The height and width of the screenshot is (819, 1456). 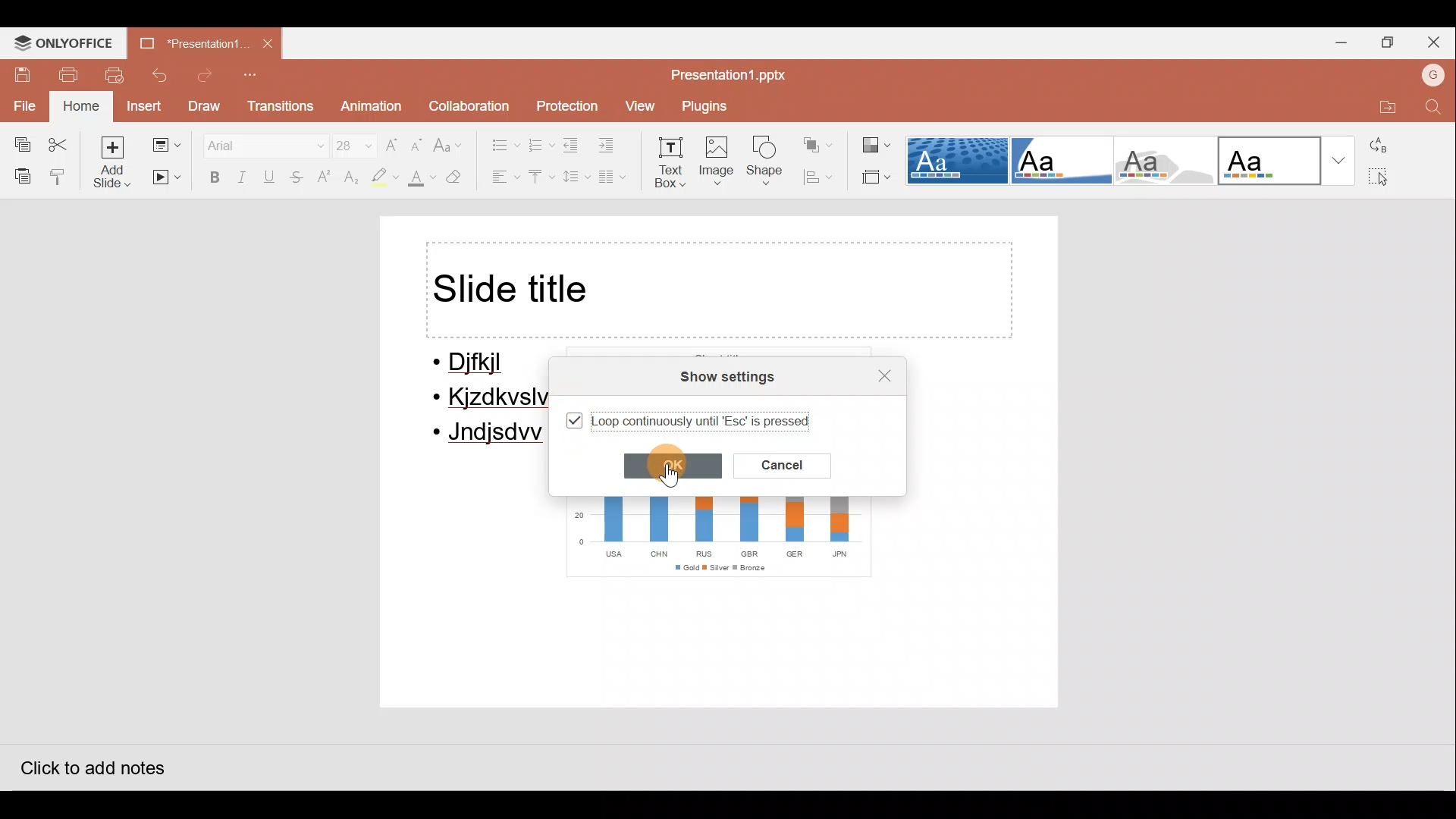 What do you see at coordinates (165, 180) in the screenshot?
I see `Start slideshow` at bounding box center [165, 180].